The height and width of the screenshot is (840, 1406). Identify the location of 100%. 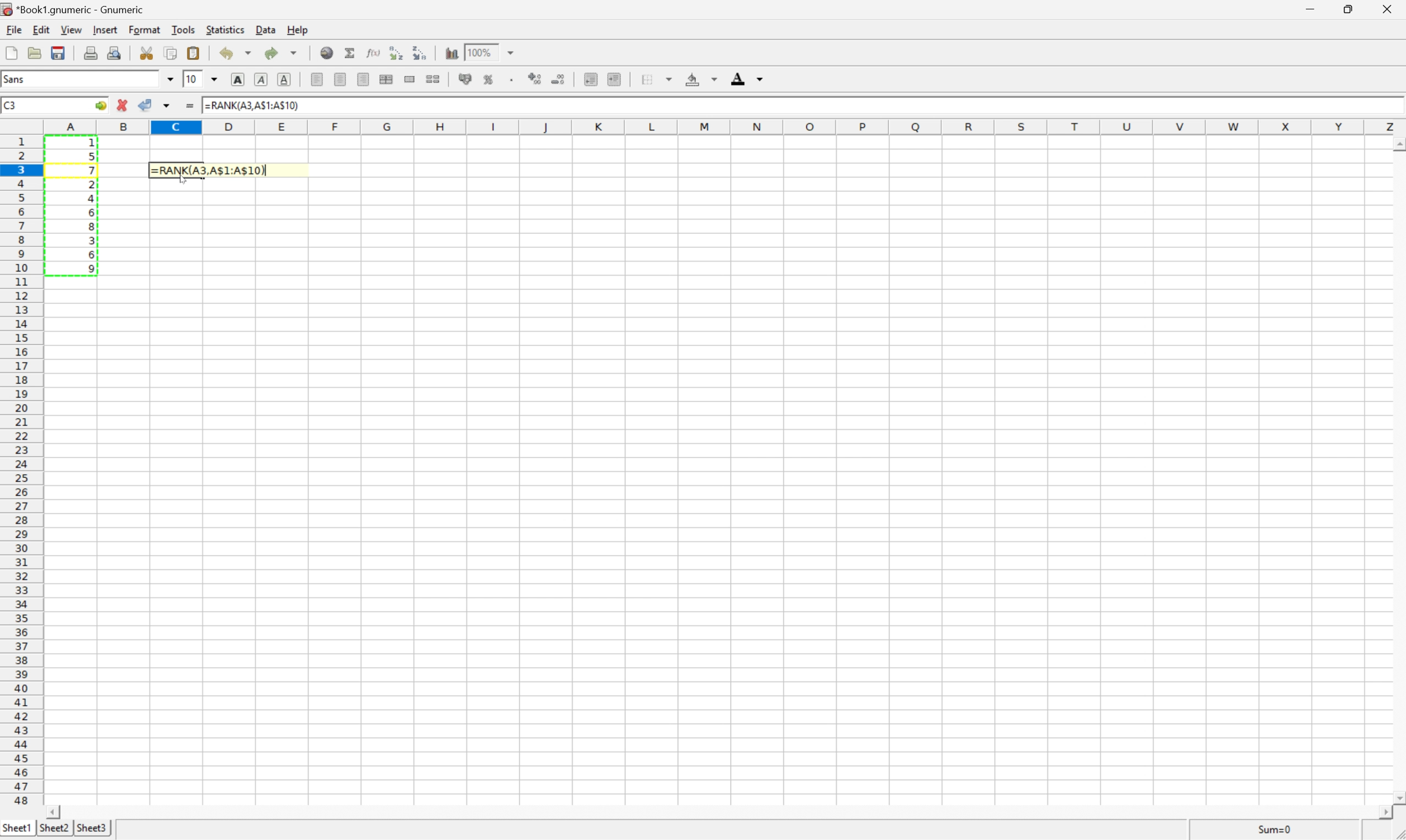
(478, 52).